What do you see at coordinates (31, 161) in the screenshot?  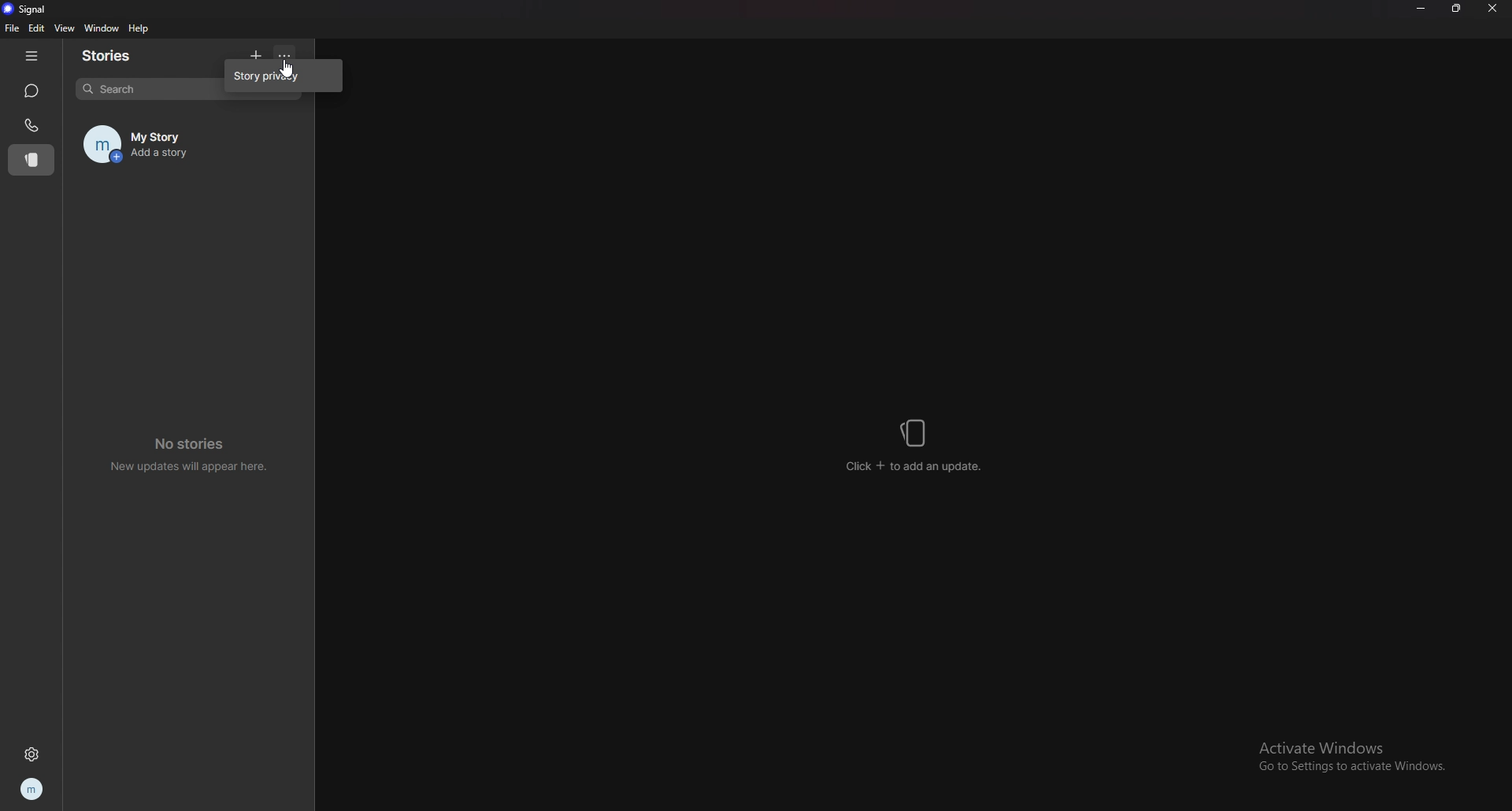 I see `stories` at bounding box center [31, 161].